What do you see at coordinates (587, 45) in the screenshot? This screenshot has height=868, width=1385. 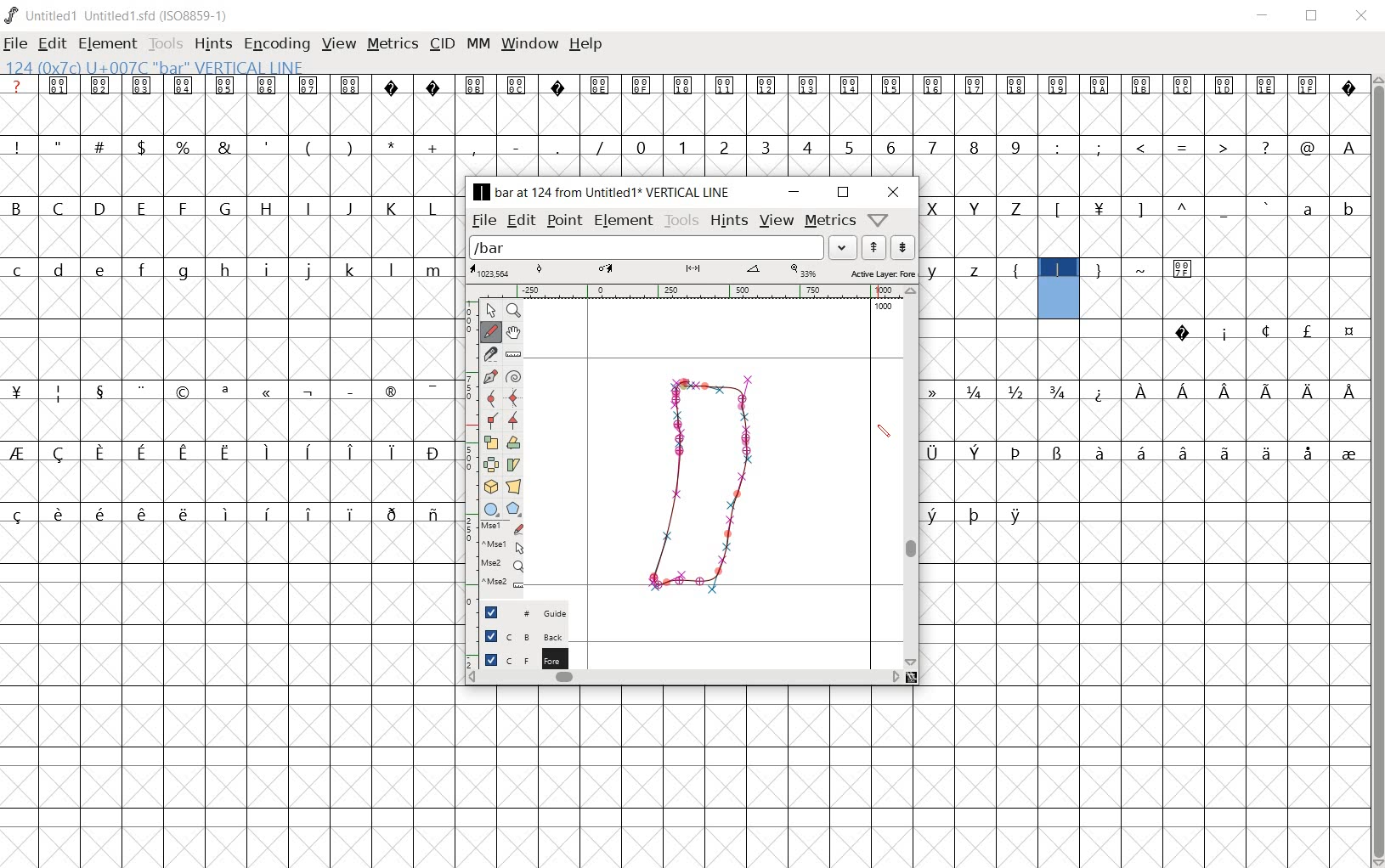 I see `help` at bounding box center [587, 45].